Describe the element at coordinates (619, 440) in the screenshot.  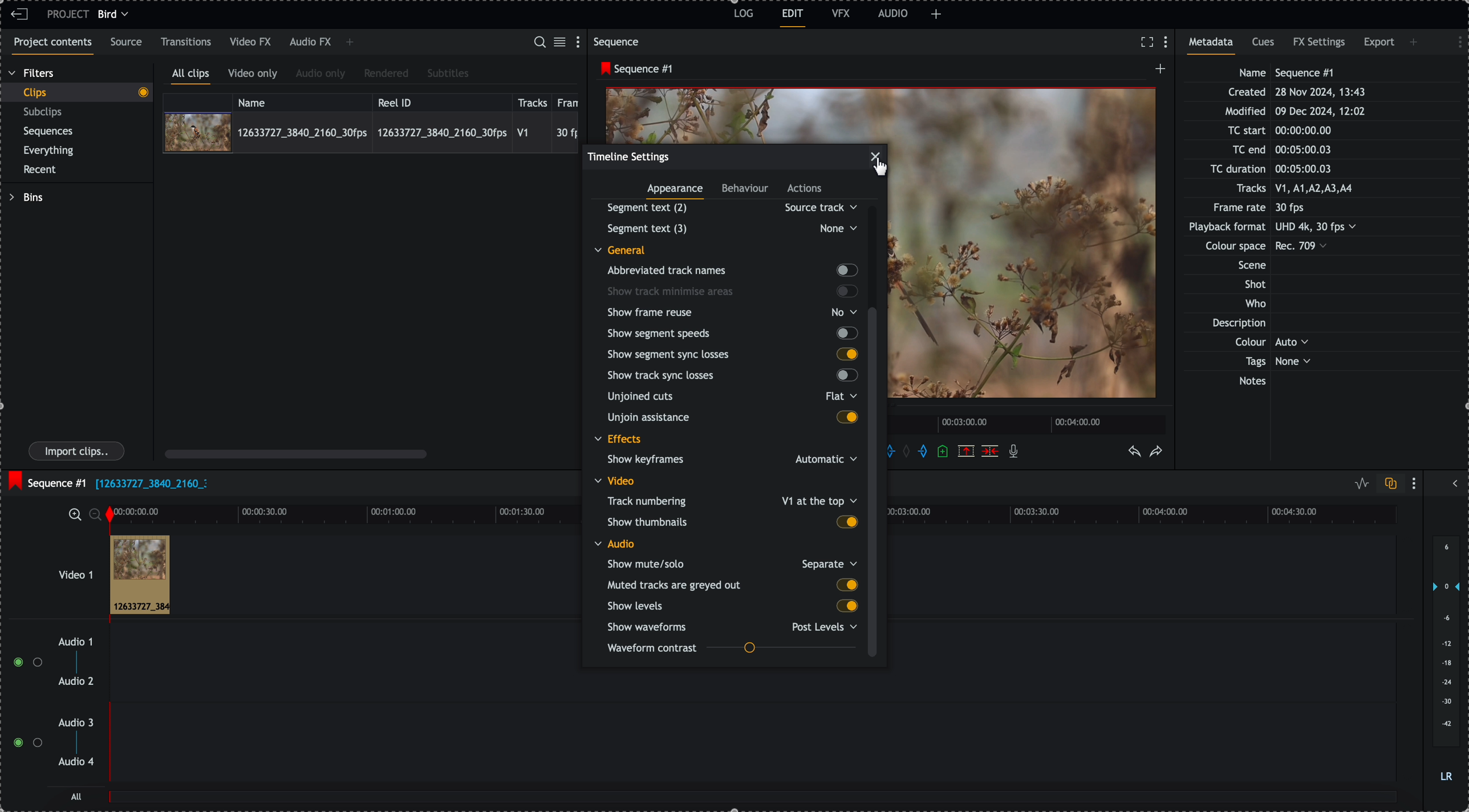
I see `effects` at that location.